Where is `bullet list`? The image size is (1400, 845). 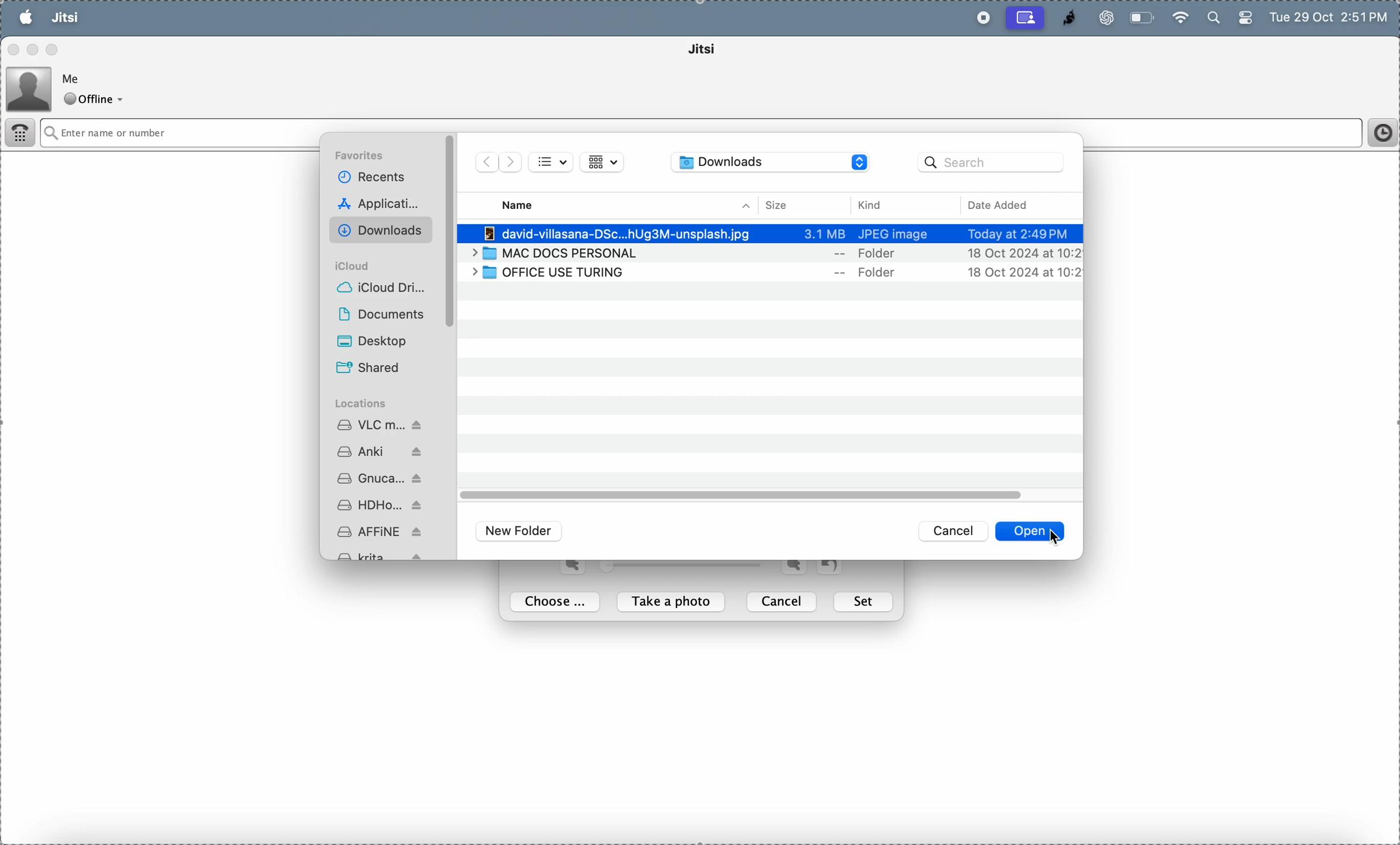 bullet list is located at coordinates (552, 163).